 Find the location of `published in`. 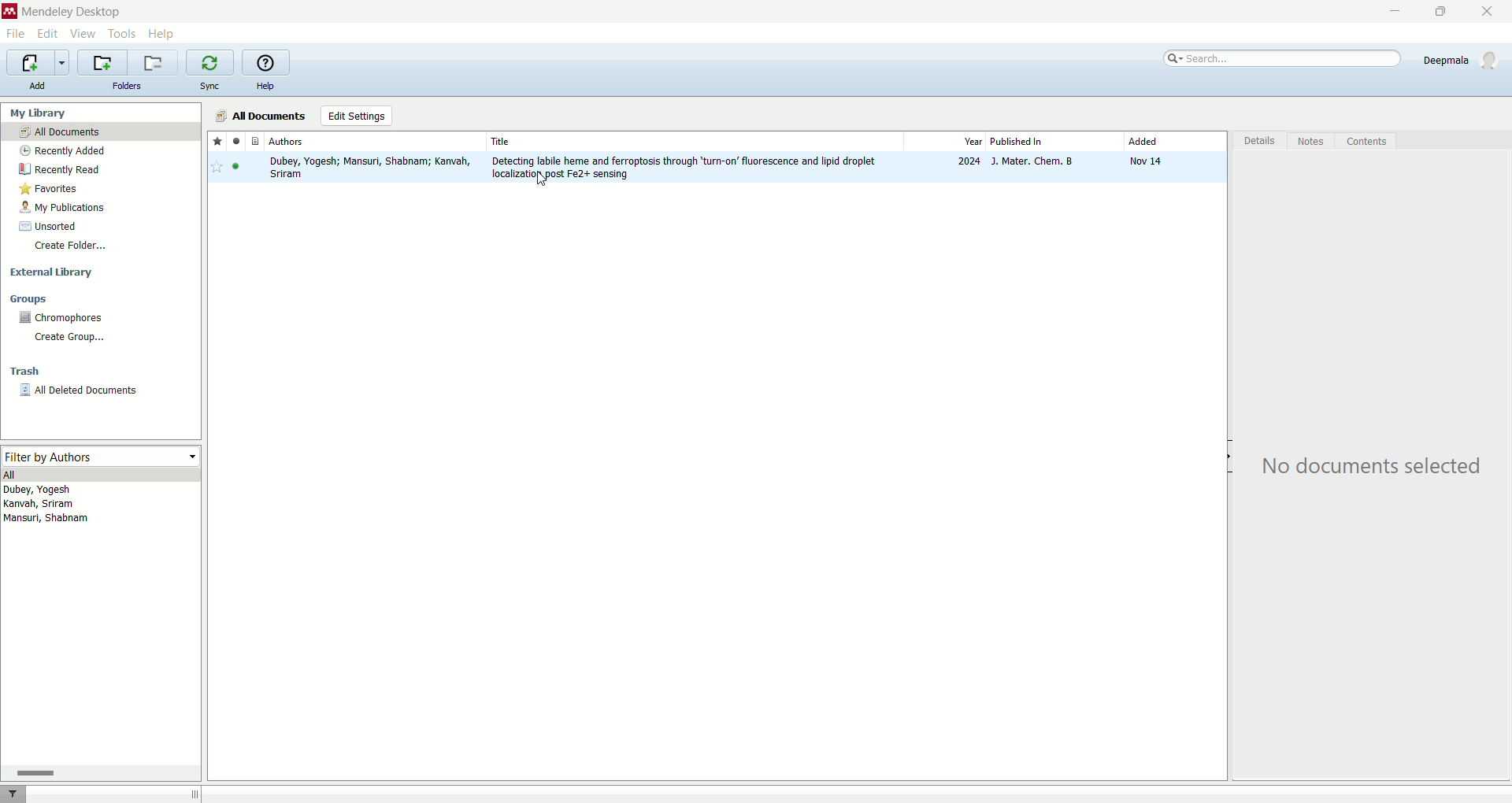

published in is located at coordinates (1053, 142).